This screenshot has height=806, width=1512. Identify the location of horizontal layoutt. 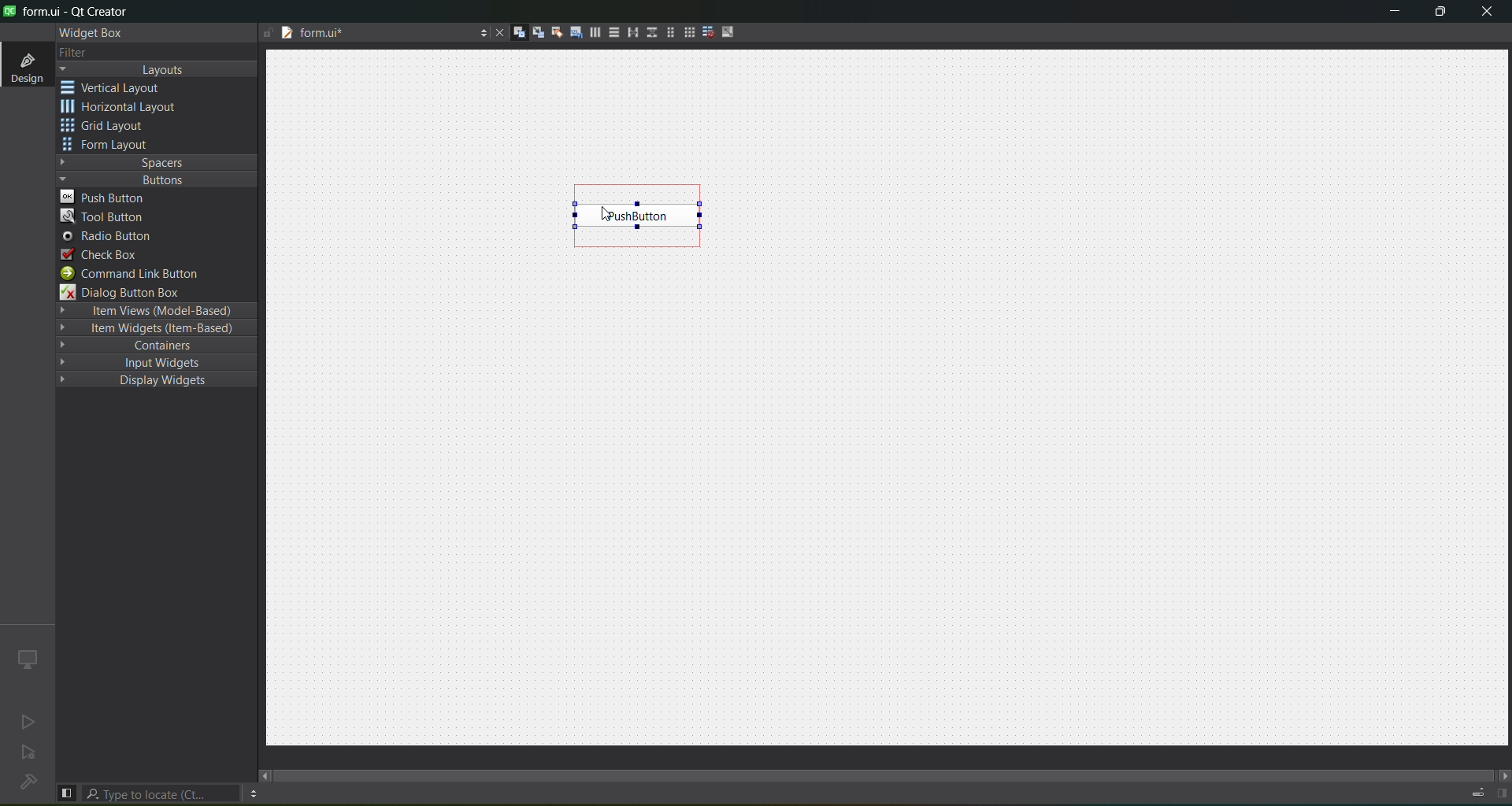
(595, 35).